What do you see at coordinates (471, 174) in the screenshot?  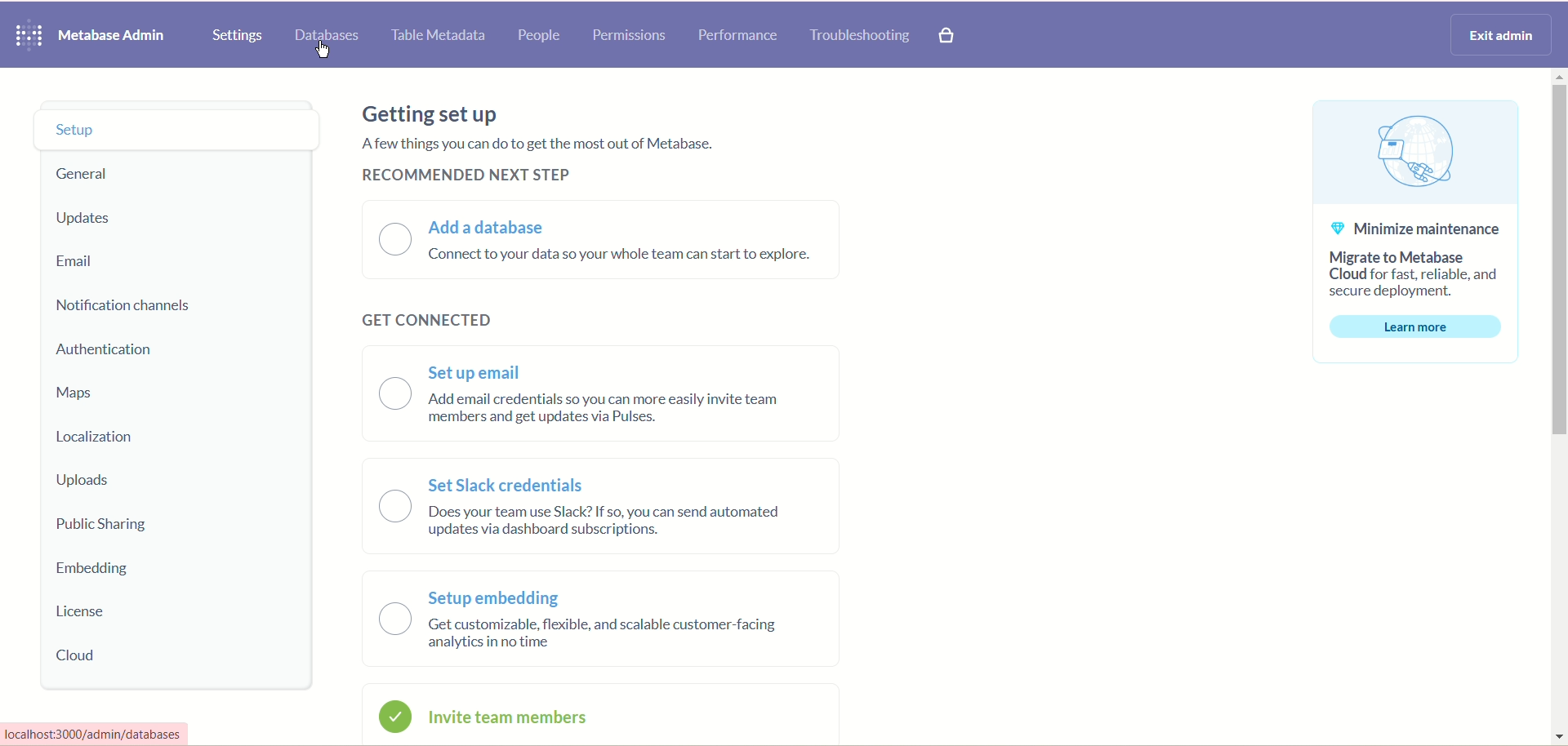 I see `recommended next step` at bounding box center [471, 174].